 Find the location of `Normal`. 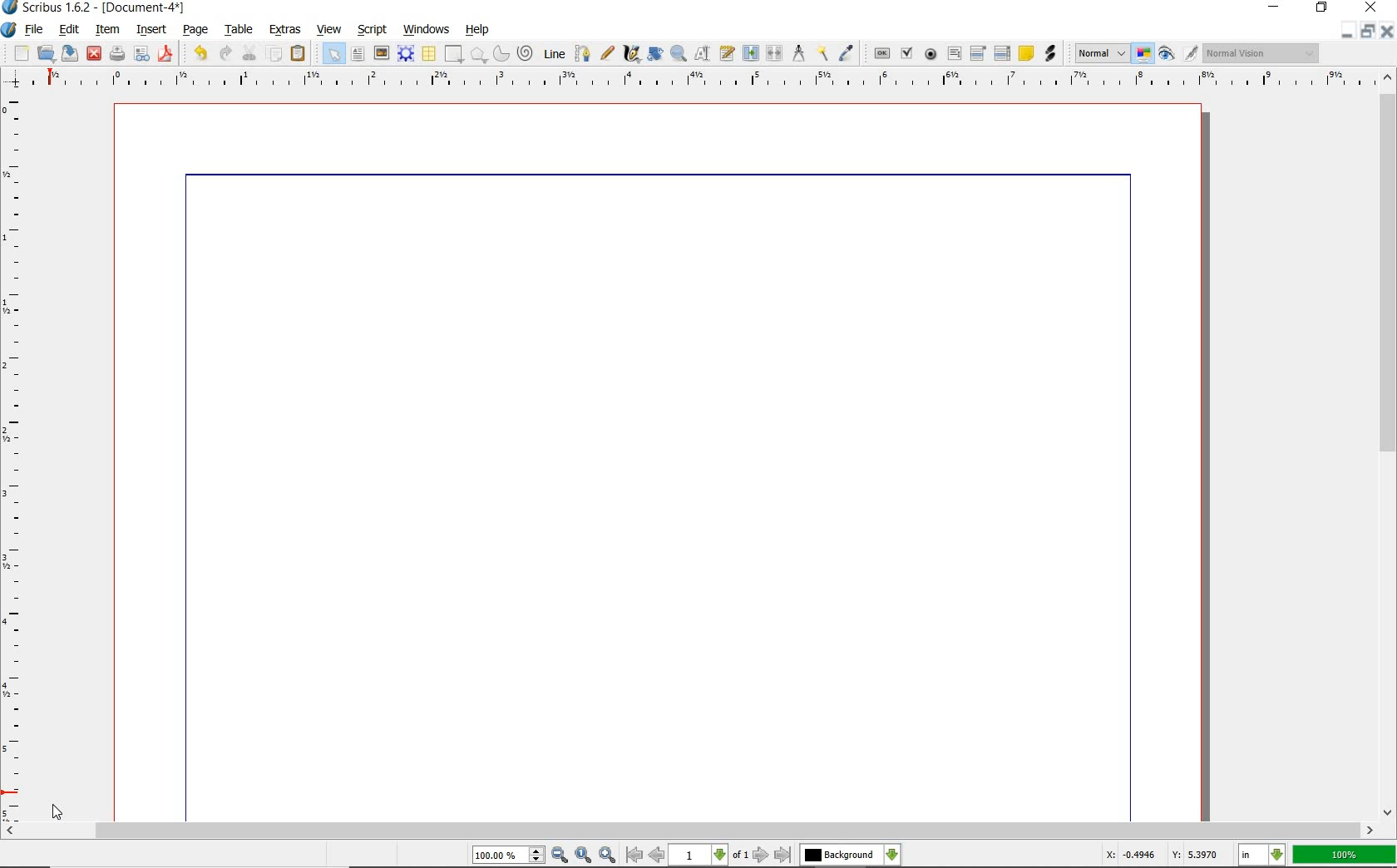

Normal is located at coordinates (1100, 53).